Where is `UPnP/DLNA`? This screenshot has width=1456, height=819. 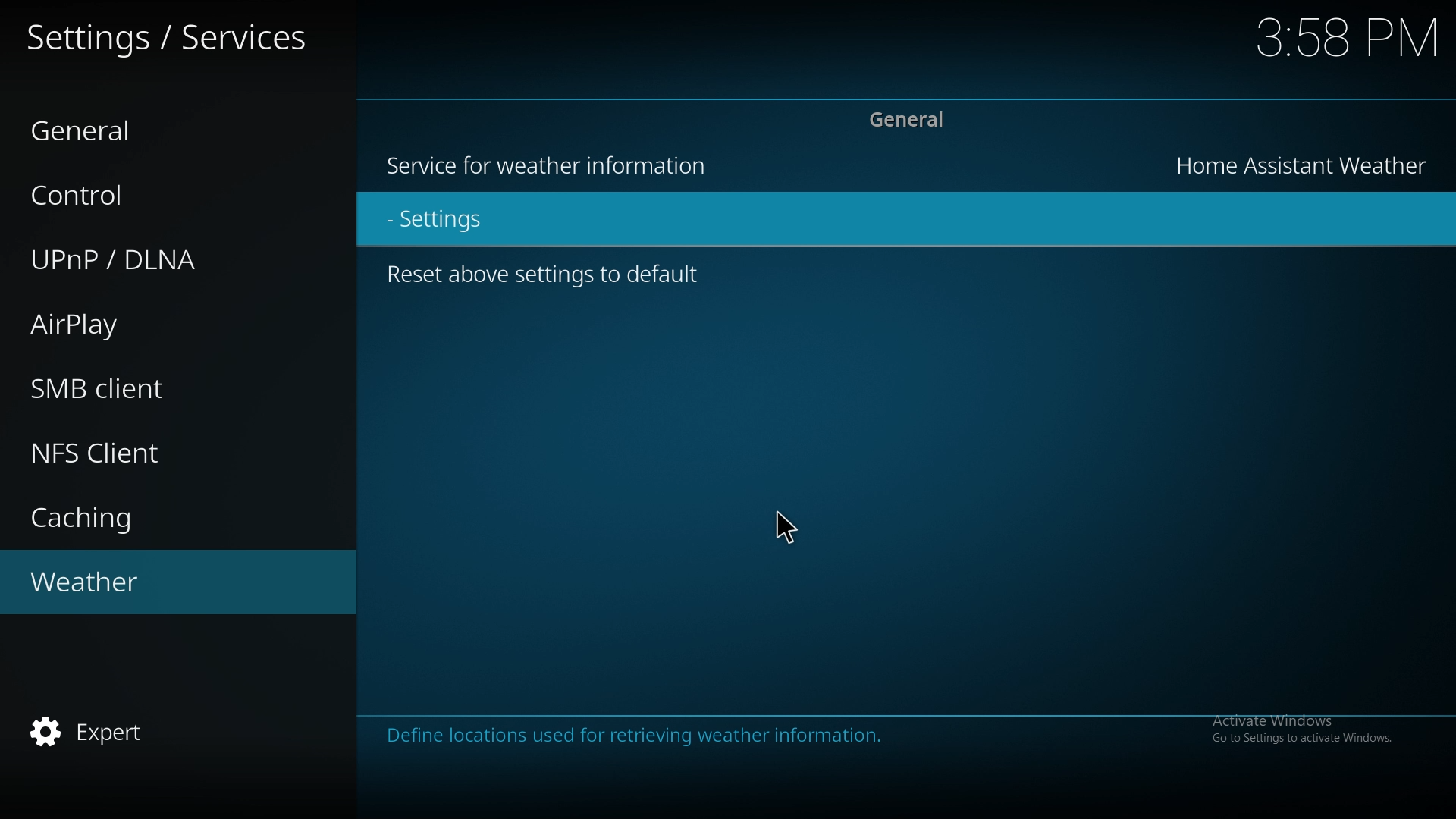
UPnP/DLNA is located at coordinates (146, 264).